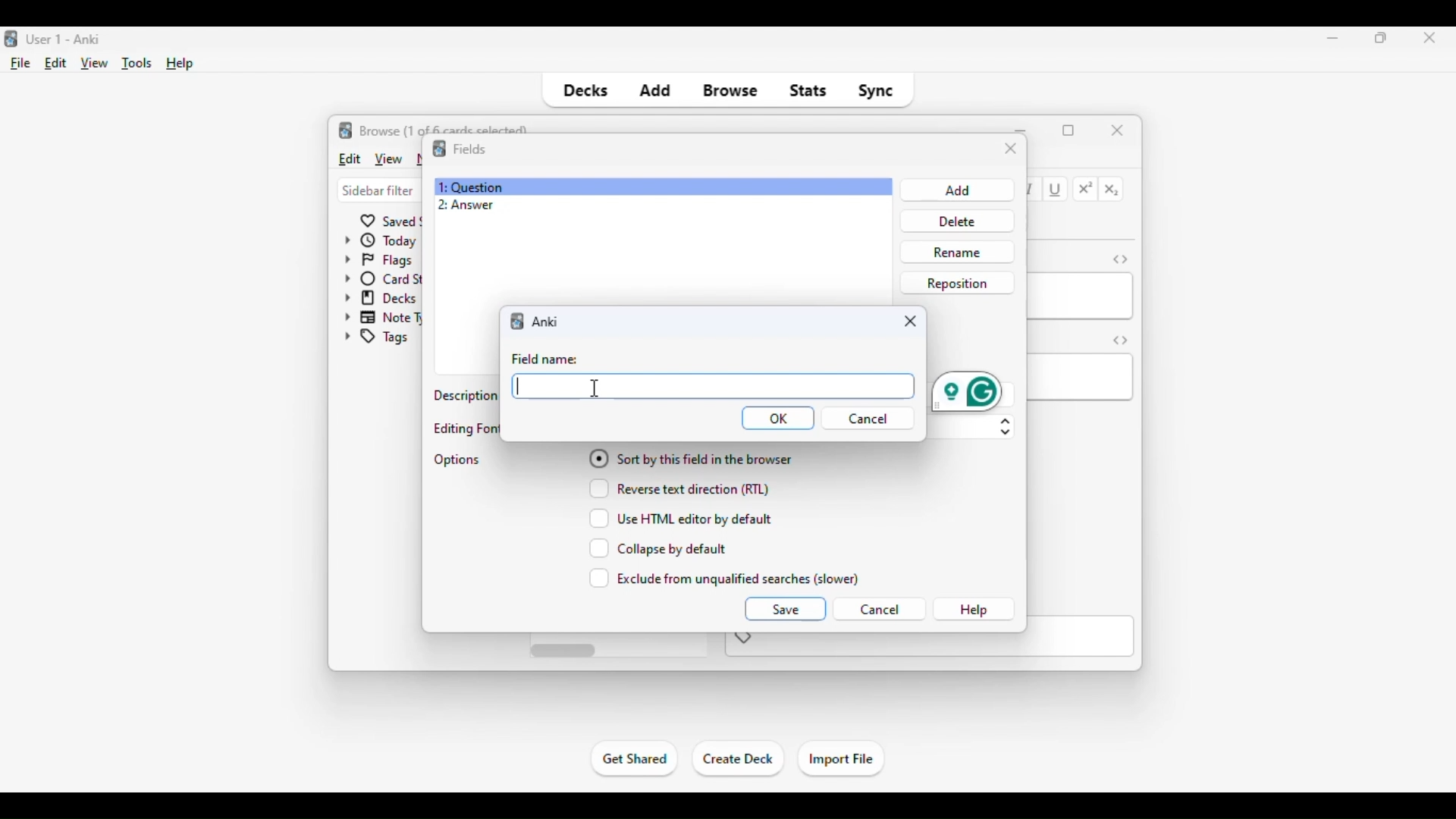  I want to click on close, so click(1011, 149).